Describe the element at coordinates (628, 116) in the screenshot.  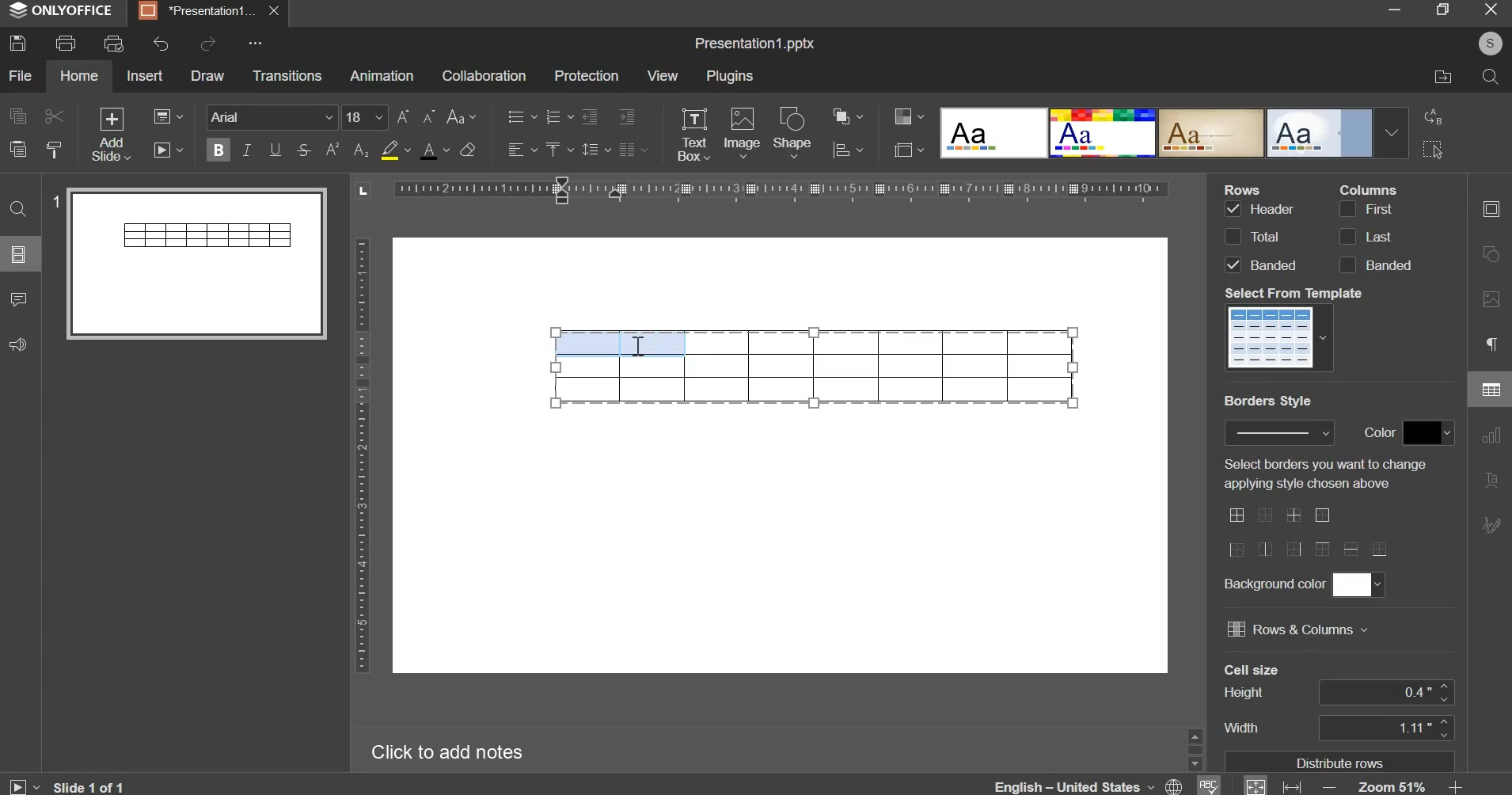
I see `increase indent` at that location.